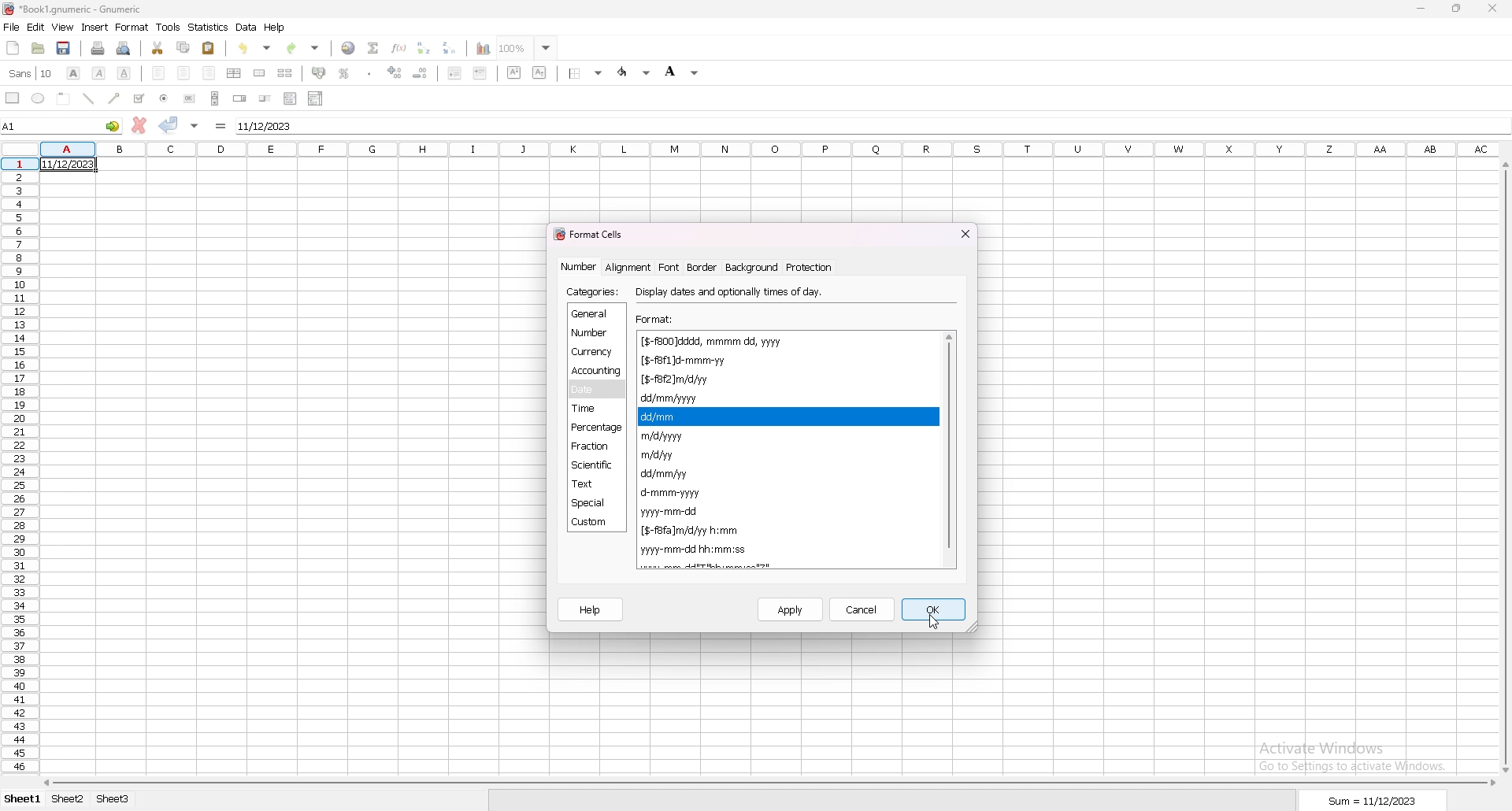 This screenshot has width=1512, height=811. What do you see at coordinates (183, 72) in the screenshot?
I see `centre` at bounding box center [183, 72].